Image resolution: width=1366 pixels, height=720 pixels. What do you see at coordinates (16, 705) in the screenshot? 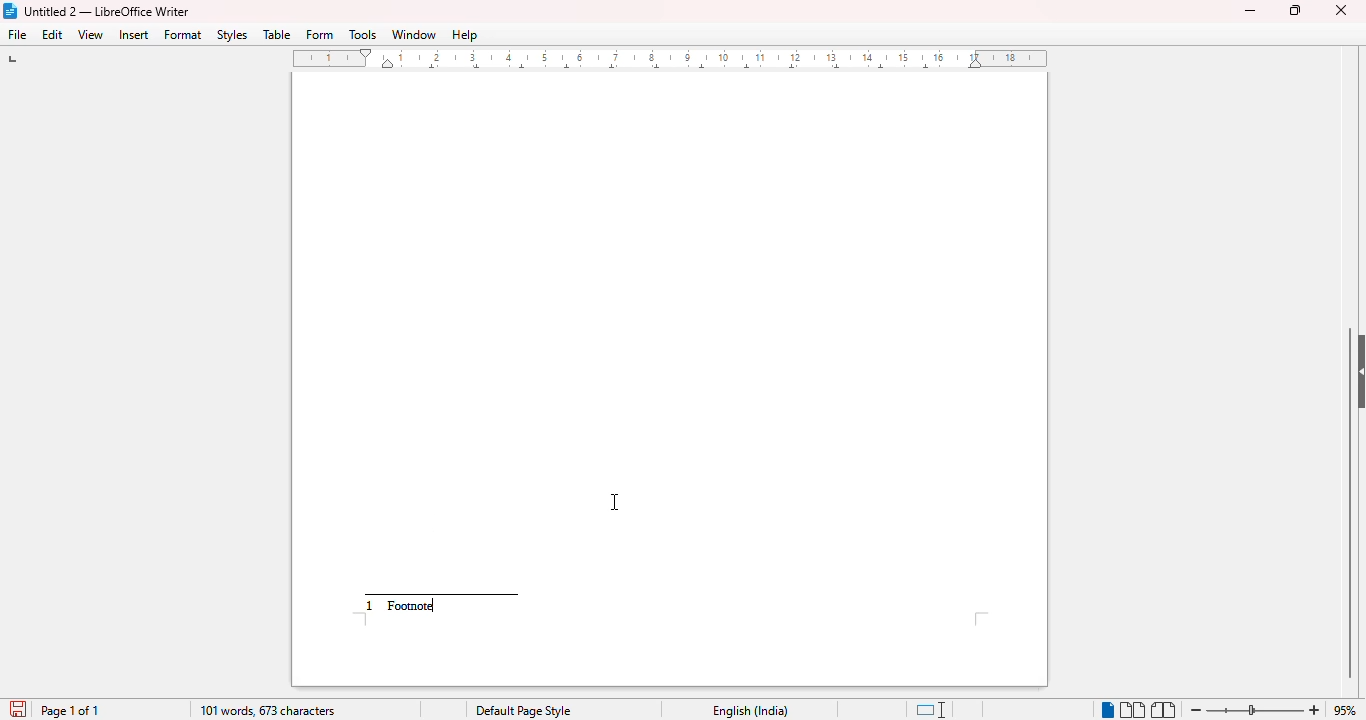
I see `Save document` at bounding box center [16, 705].